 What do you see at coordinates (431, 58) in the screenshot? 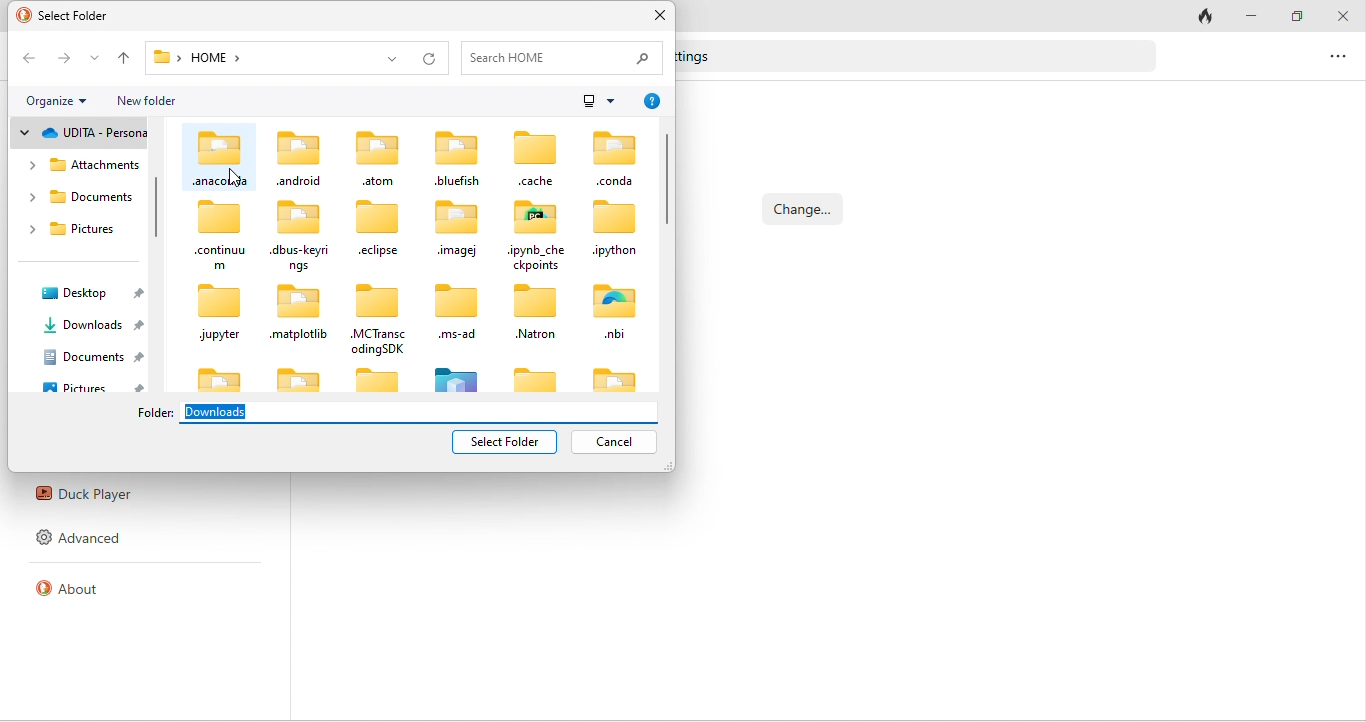
I see `refresh` at bounding box center [431, 58].